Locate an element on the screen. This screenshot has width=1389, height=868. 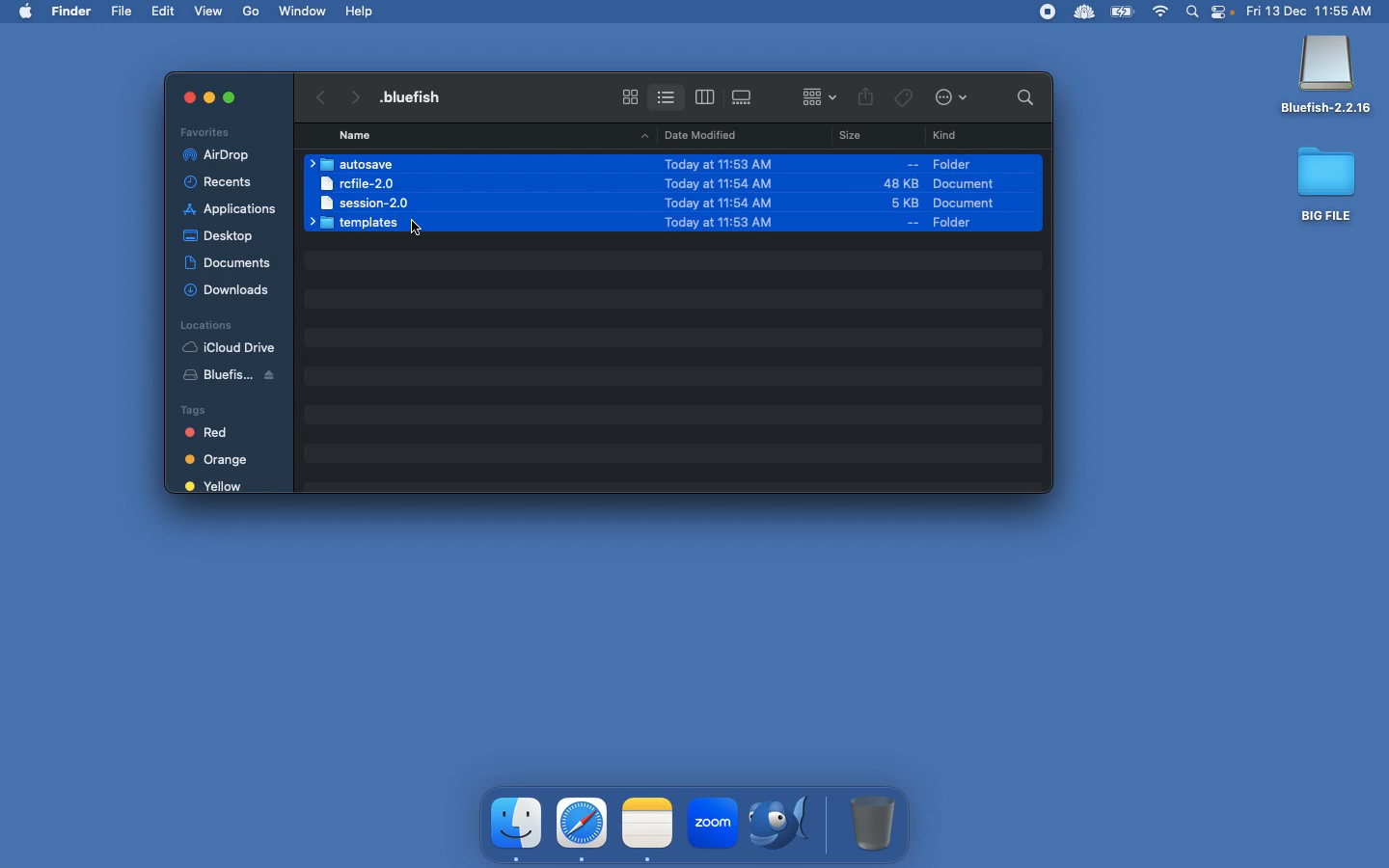
Favorites is located at coordinates (207, 131).